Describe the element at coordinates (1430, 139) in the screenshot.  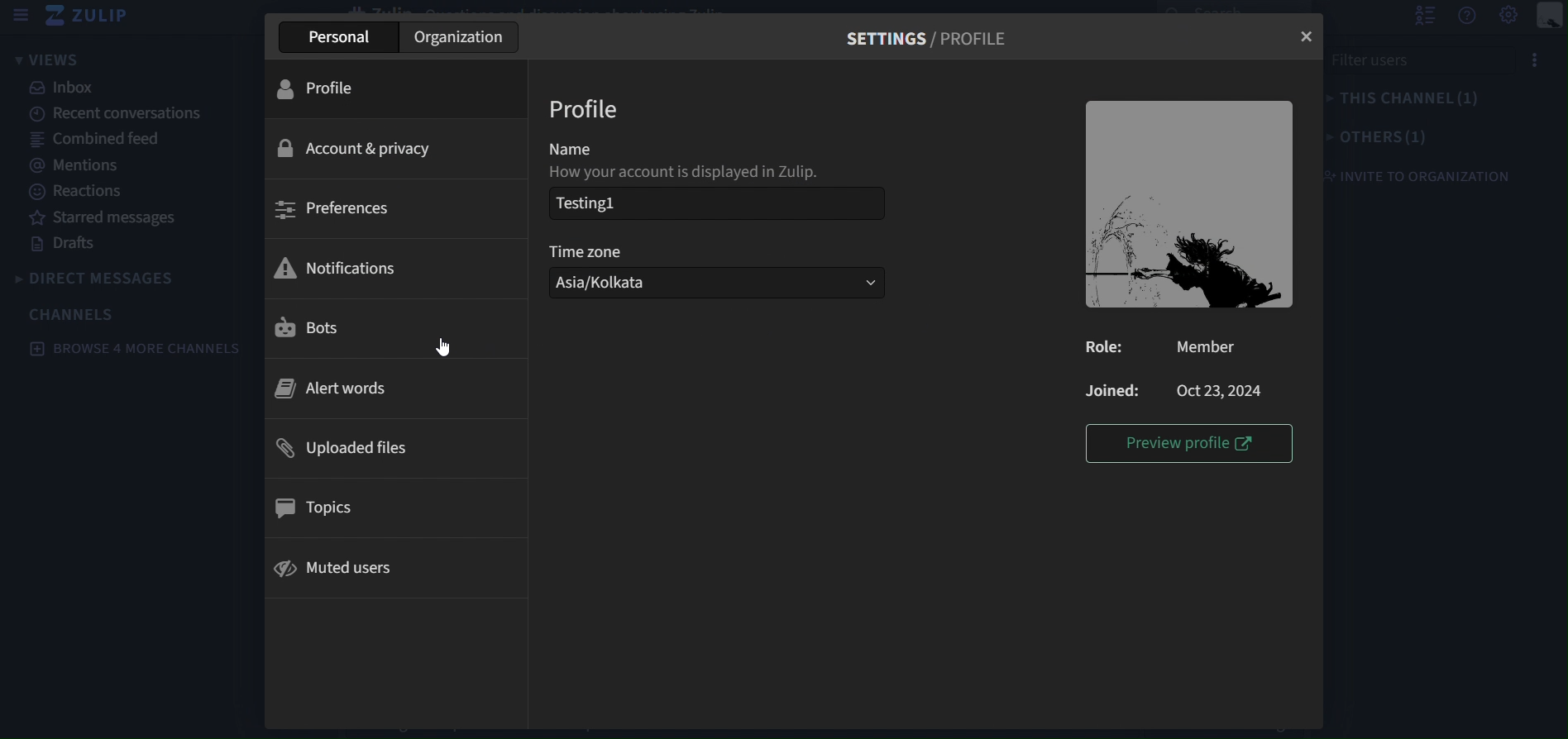
I see `others(1)` at that location.